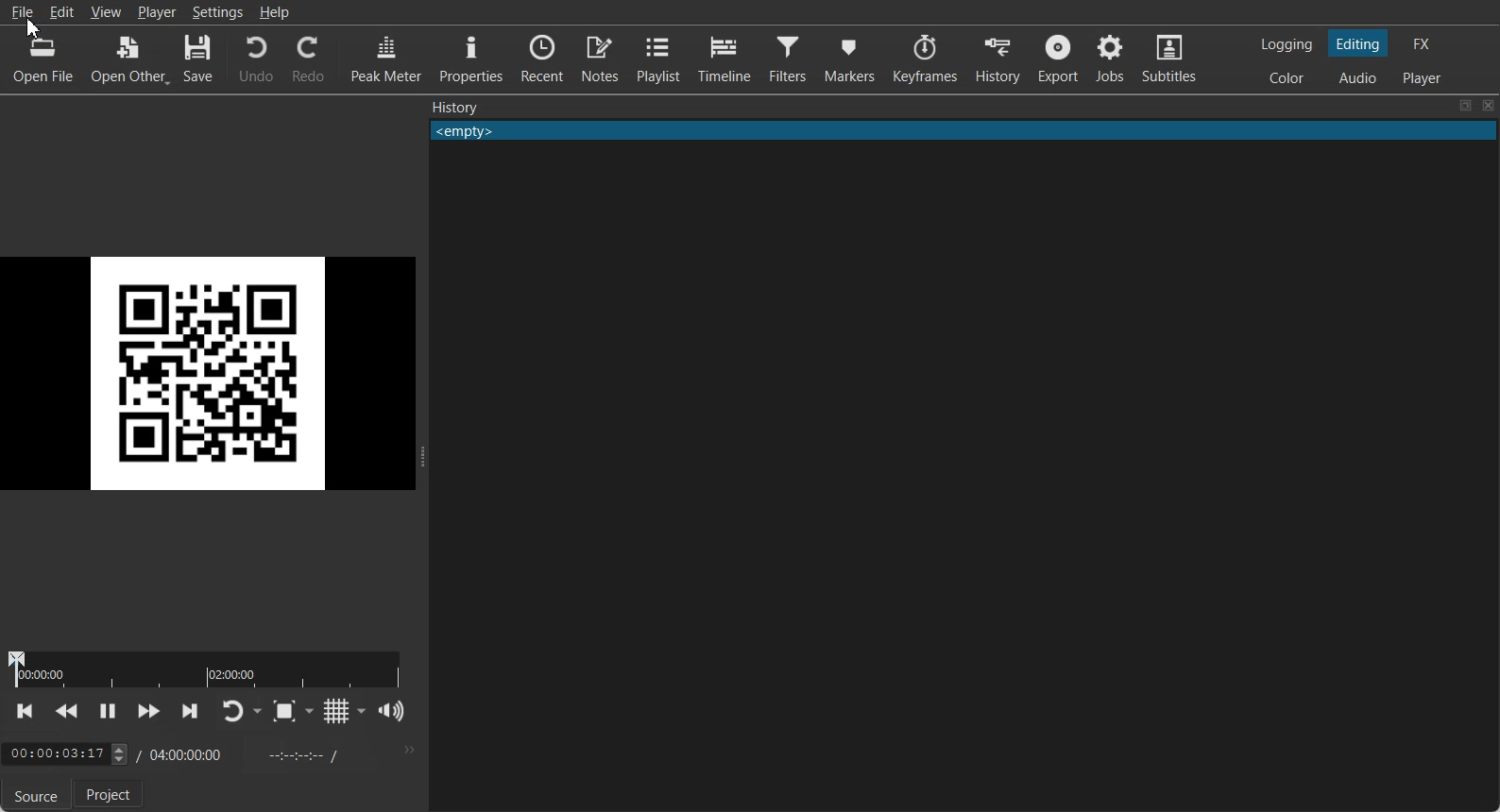 The image size is (1500, 812). Describe the element at coordinates (54, 753) in the screenshot. I see `Time` at that location.